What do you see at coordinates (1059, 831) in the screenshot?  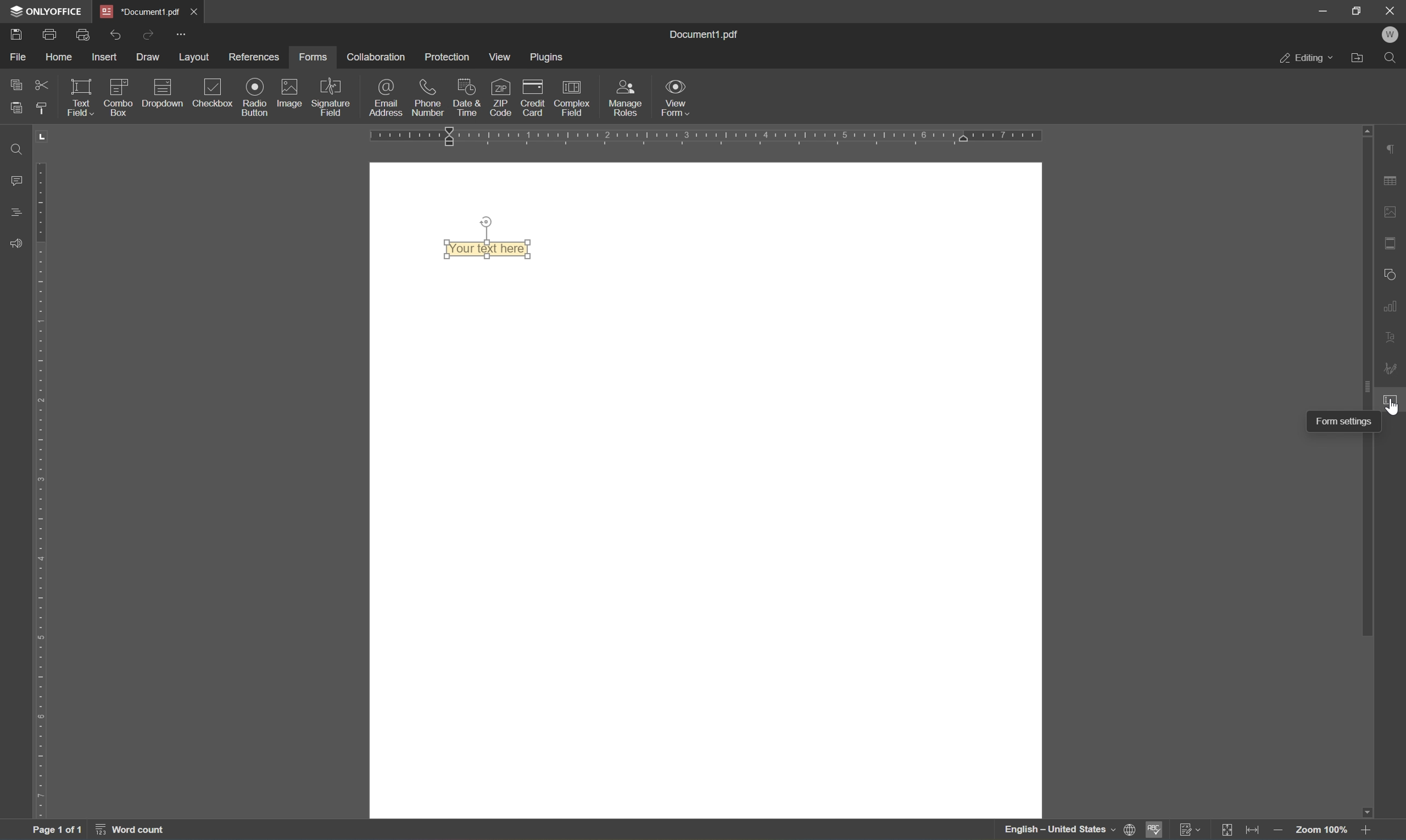 I see `english - united states` at bounding box center [1059, 831].